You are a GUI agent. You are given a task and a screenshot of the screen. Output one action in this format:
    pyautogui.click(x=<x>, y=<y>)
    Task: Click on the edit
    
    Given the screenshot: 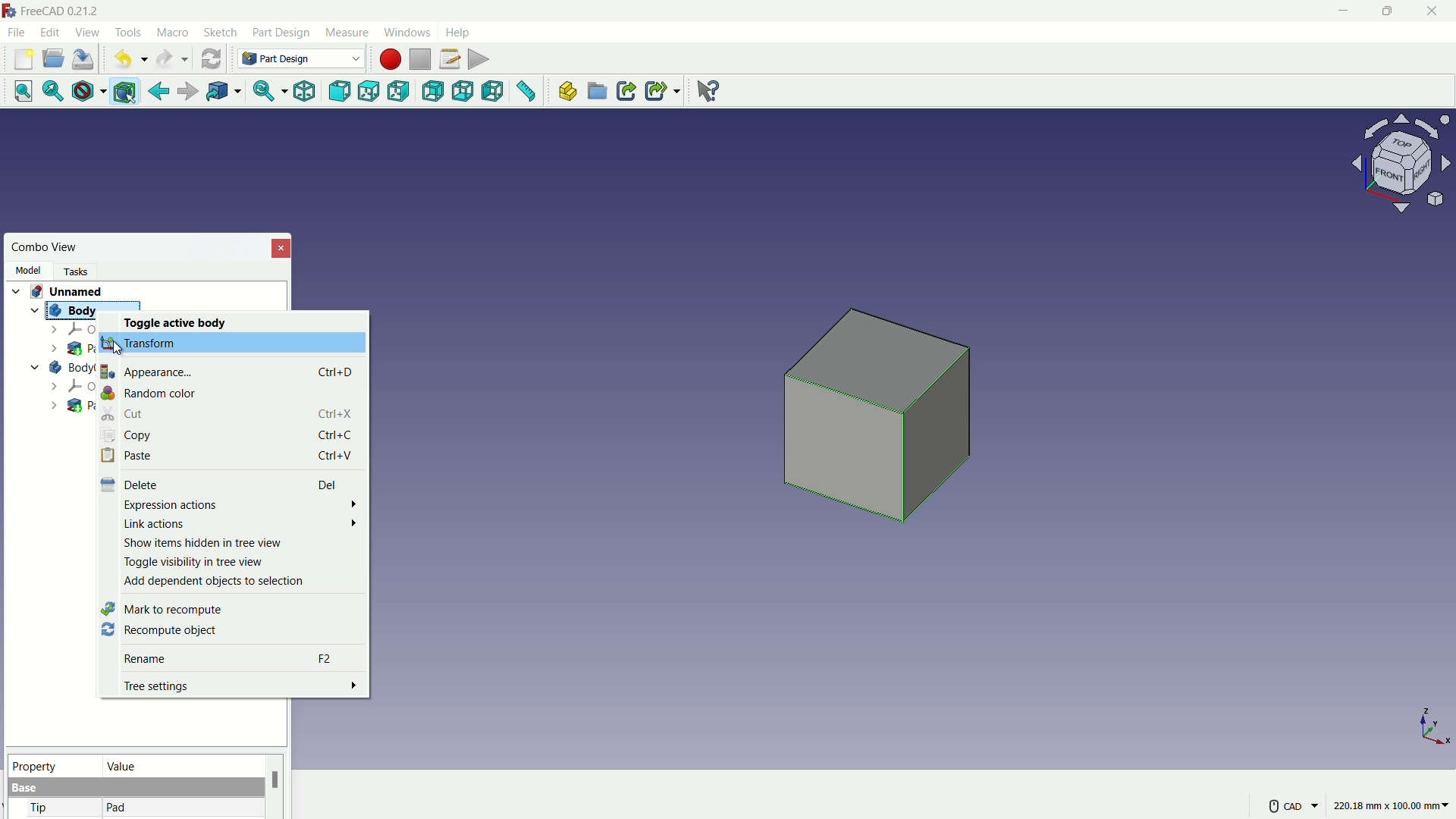 What is the action you would take?
    pyautogui.click(x=52, y=32)
    